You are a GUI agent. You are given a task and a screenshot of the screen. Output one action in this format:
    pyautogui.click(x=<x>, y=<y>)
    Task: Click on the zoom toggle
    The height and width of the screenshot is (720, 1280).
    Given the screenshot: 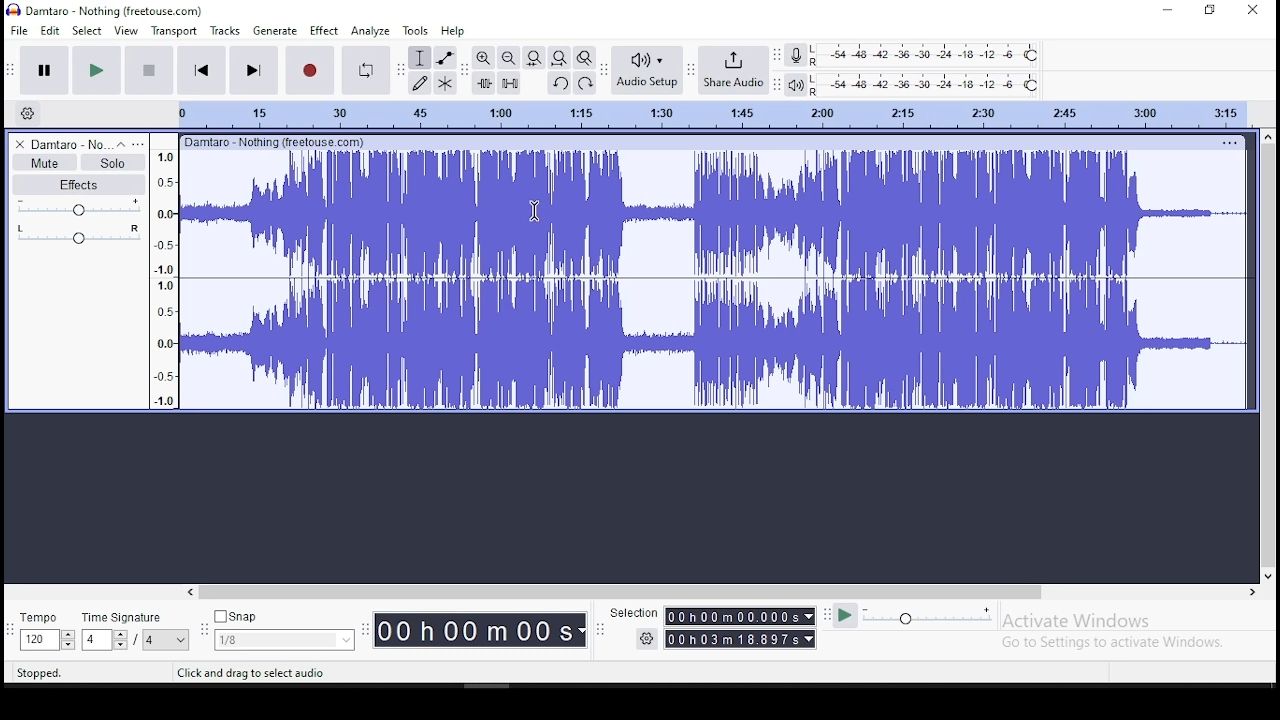 What is the action you would take?
    pyautogui.click(x=584, y=57)
    